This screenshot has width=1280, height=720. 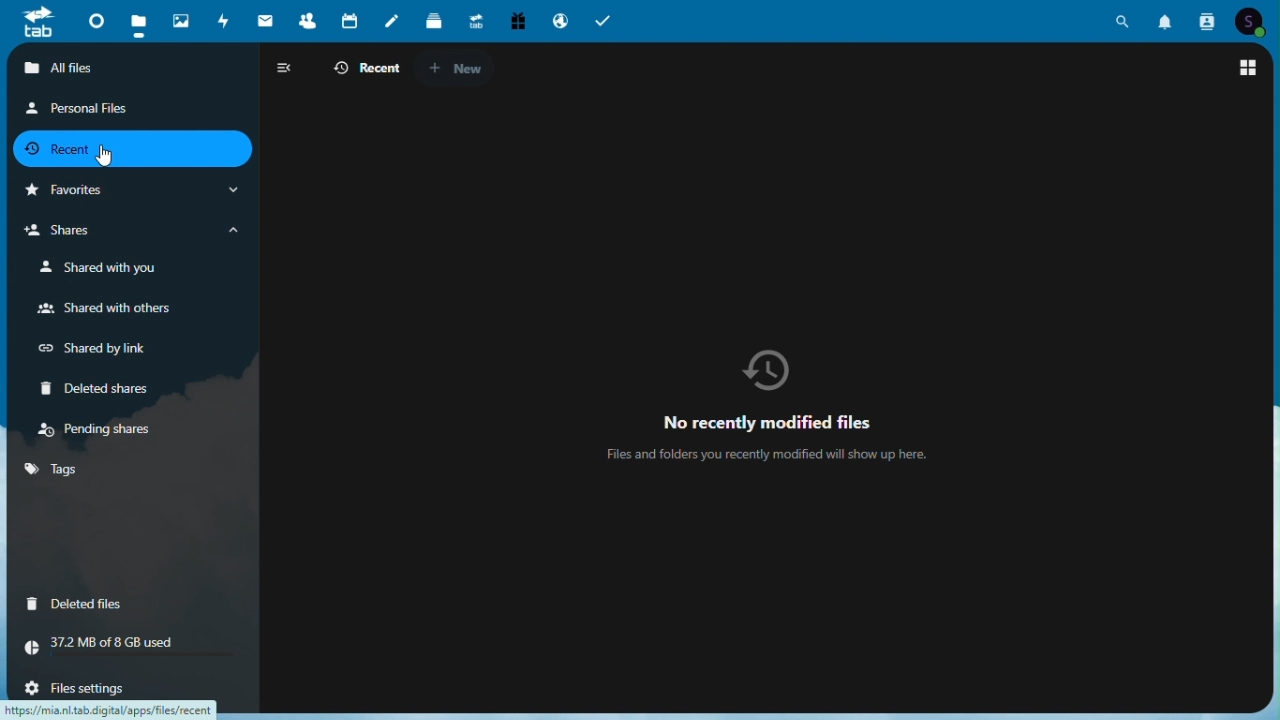 What do you see at coordinates (80, 107) in the screenshot?
I see `Personal Files` at bounding box center [80, 107].